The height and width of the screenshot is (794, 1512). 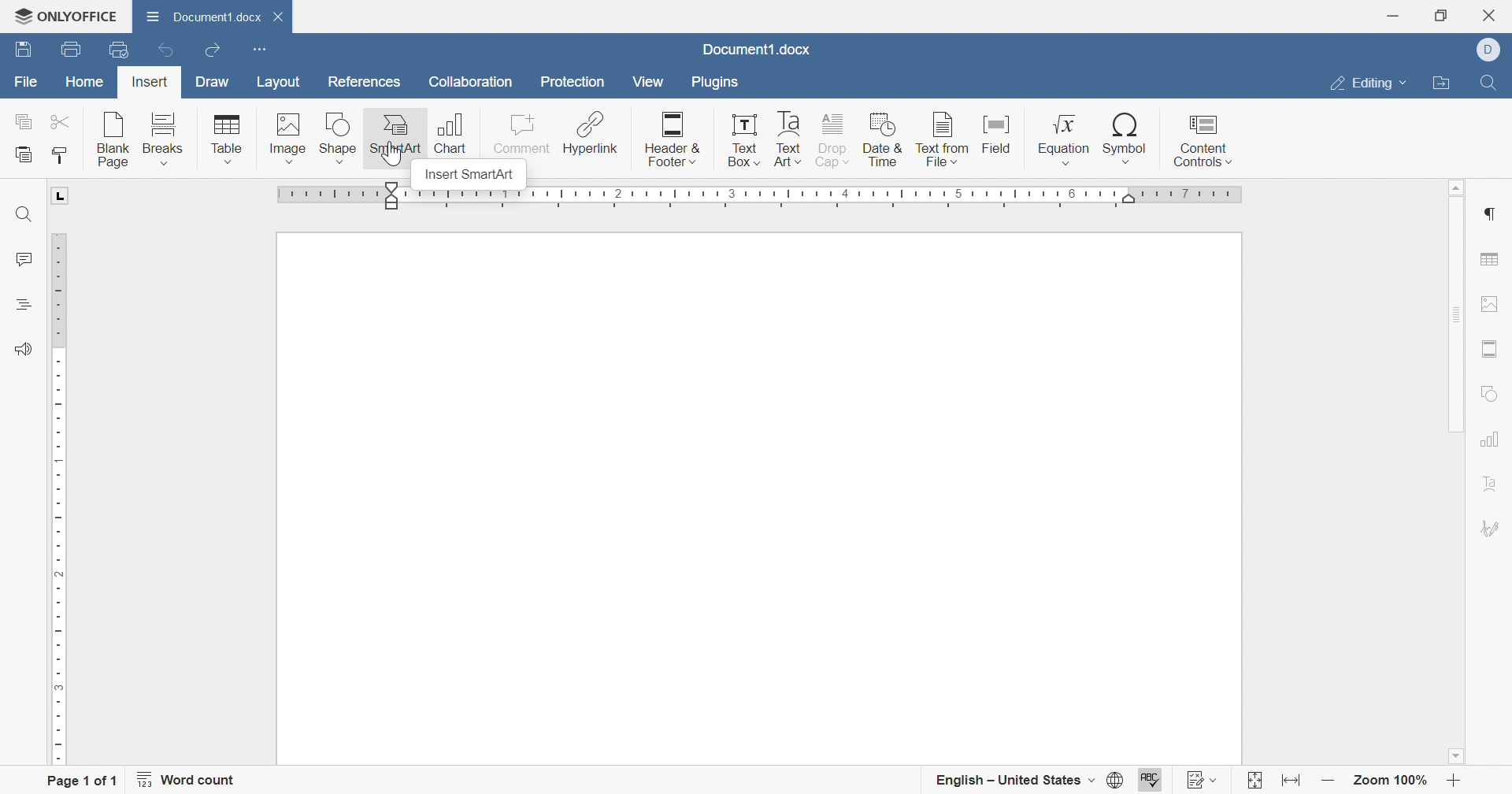 What do you see at coordinates (1490, 214) in the screenshot?
I see `Paragraph settings` at bounding box center [1490, 214].